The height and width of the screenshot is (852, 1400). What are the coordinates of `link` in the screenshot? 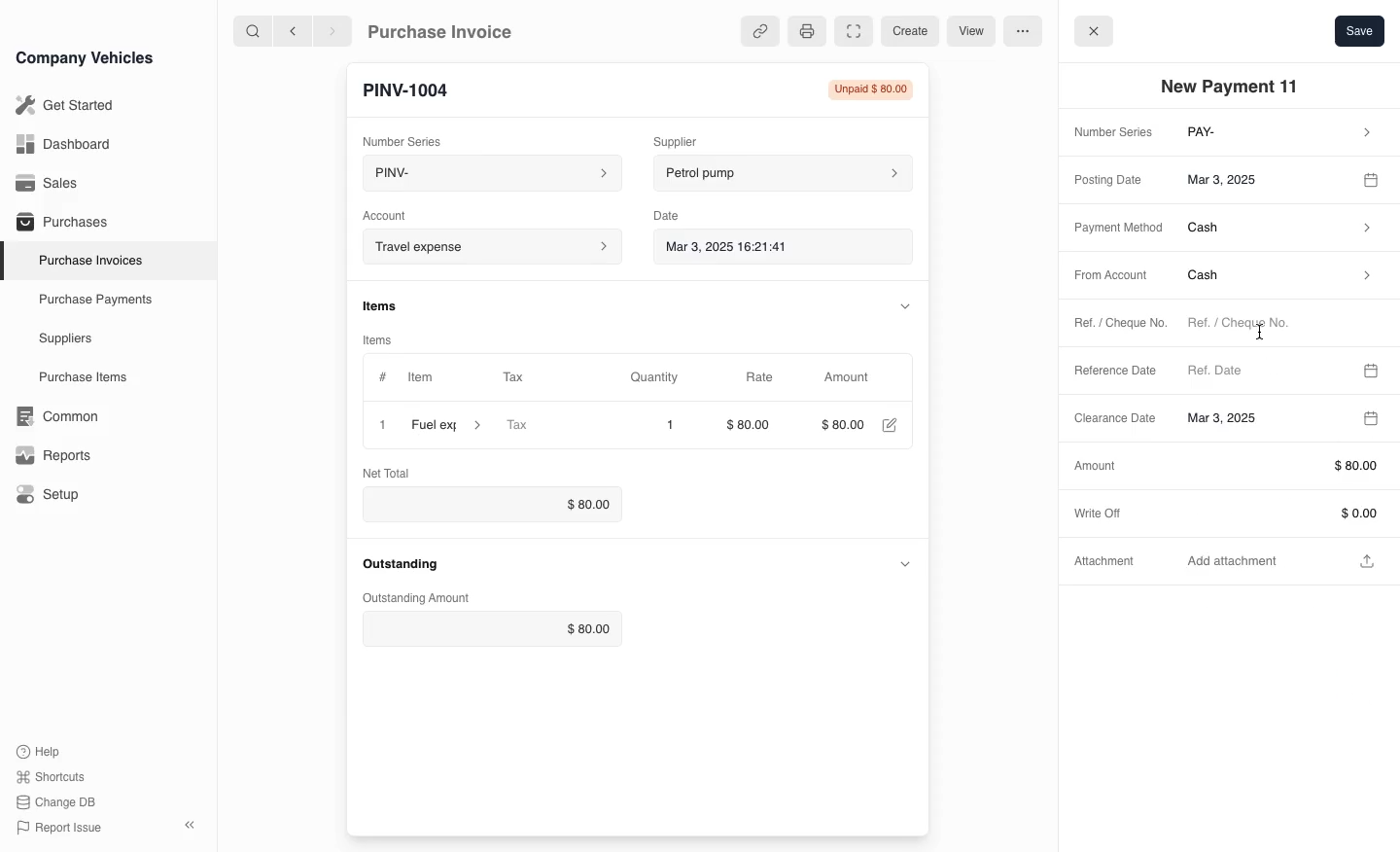 It's located at (756, 31).